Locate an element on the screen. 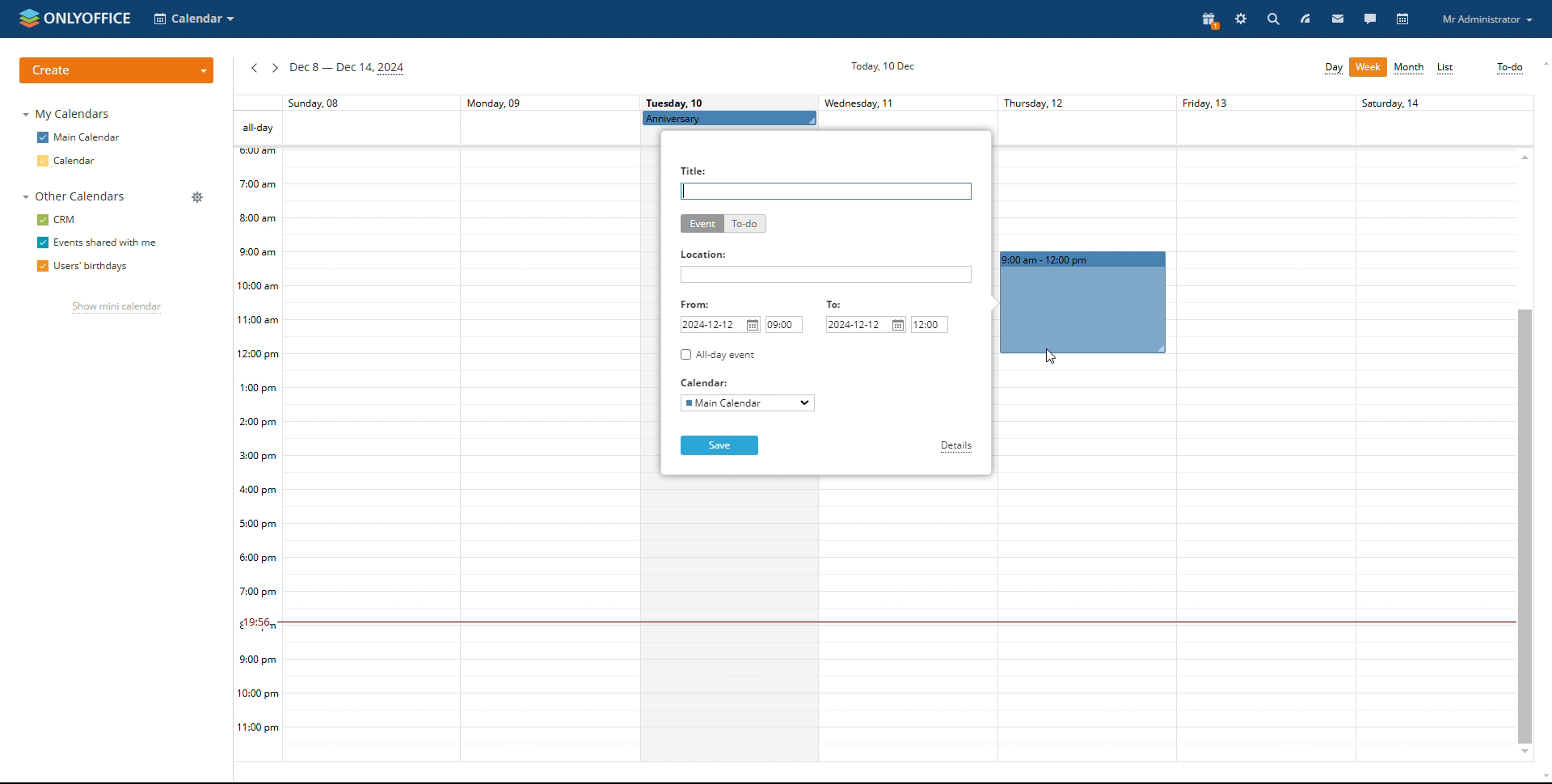  calendar is located at coordinates (78, 161).